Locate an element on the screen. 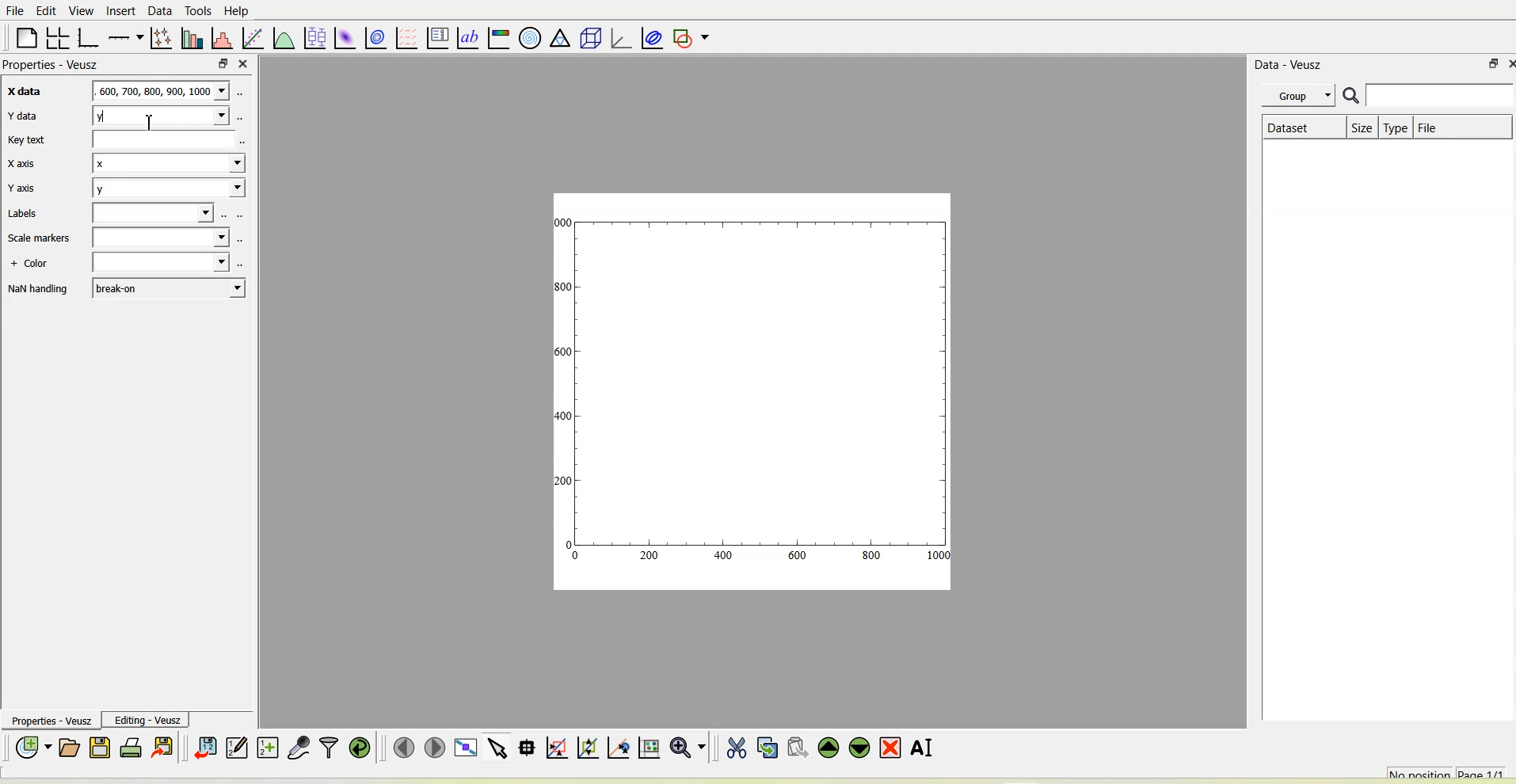  select using dataset browser is located at coordinates (244, 141).